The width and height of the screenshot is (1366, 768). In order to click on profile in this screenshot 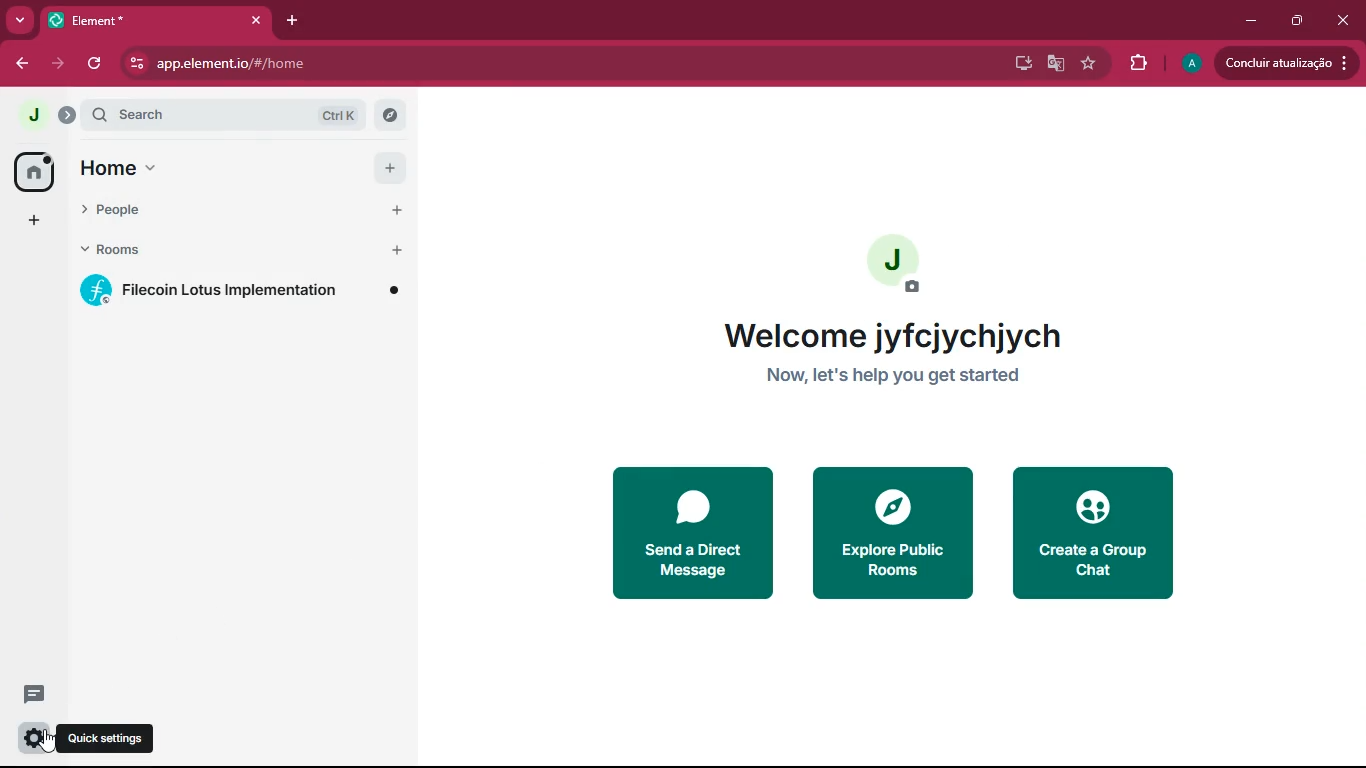, I will do `click(1190, 63)`.